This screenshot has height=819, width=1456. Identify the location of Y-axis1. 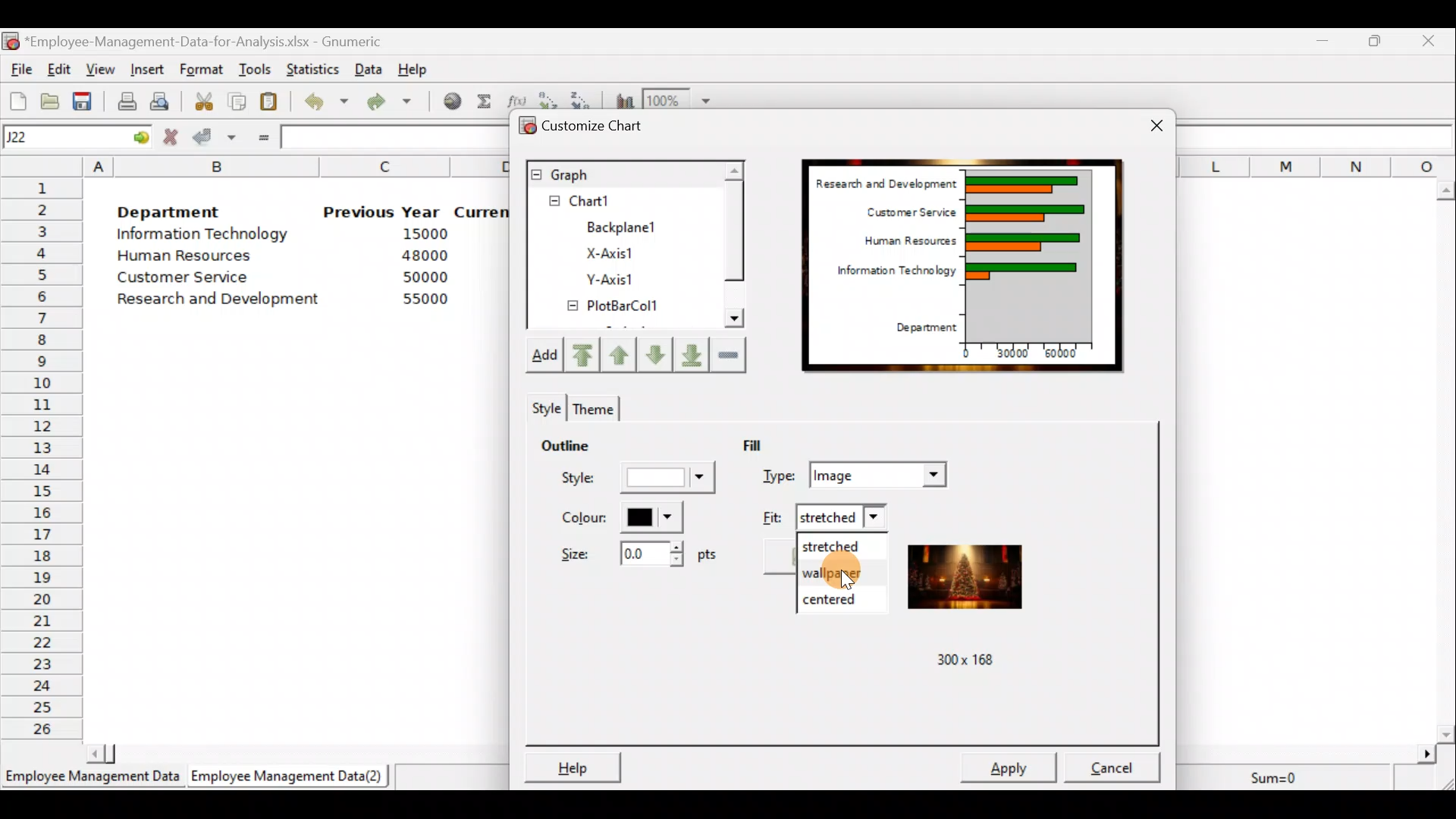
(608, 281).